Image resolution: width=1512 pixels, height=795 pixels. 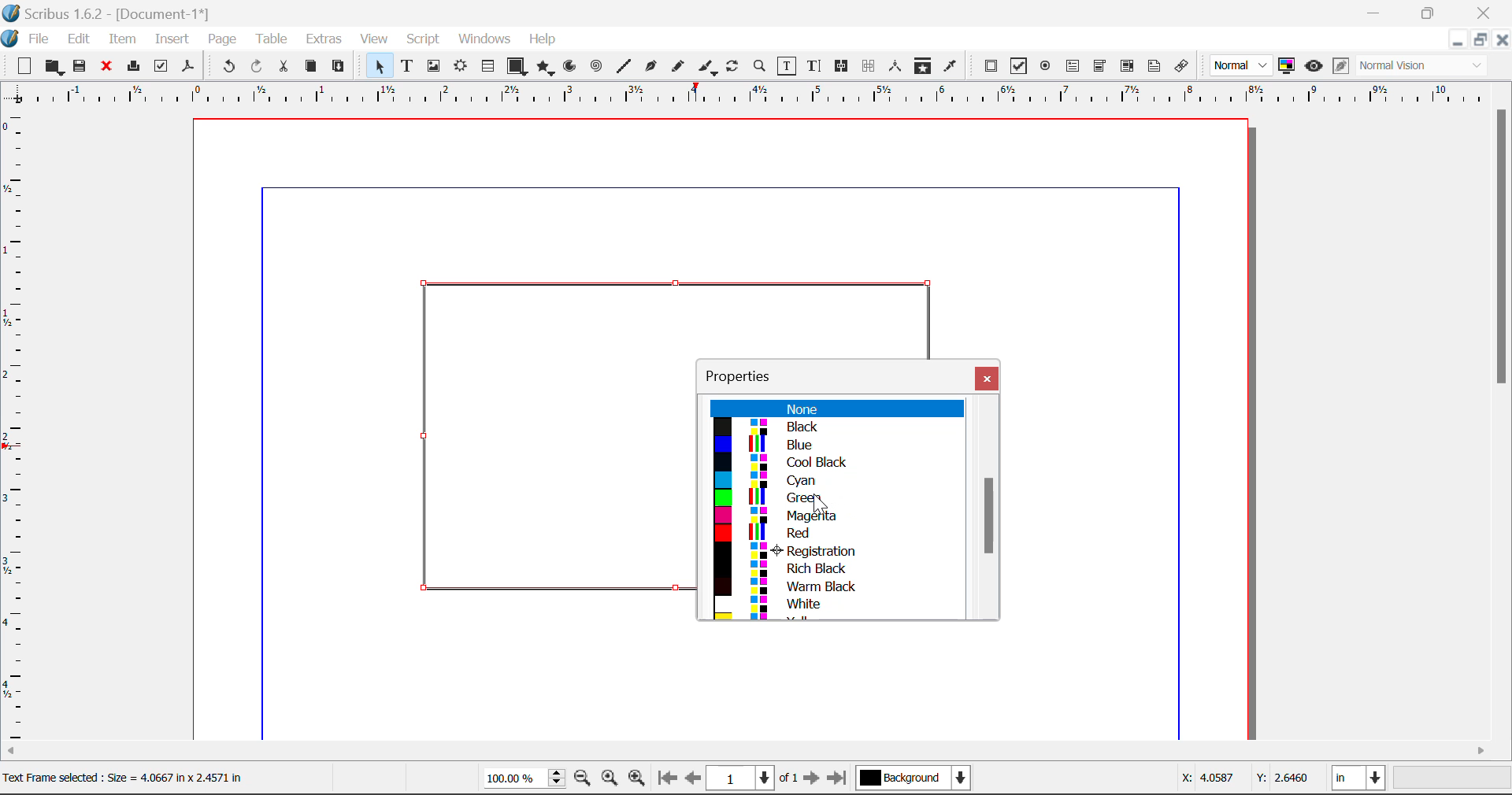 What do you see at coordinates (676, 67) in the screenshot?
I see `Freehand Line` at bounding box center [676, 67].